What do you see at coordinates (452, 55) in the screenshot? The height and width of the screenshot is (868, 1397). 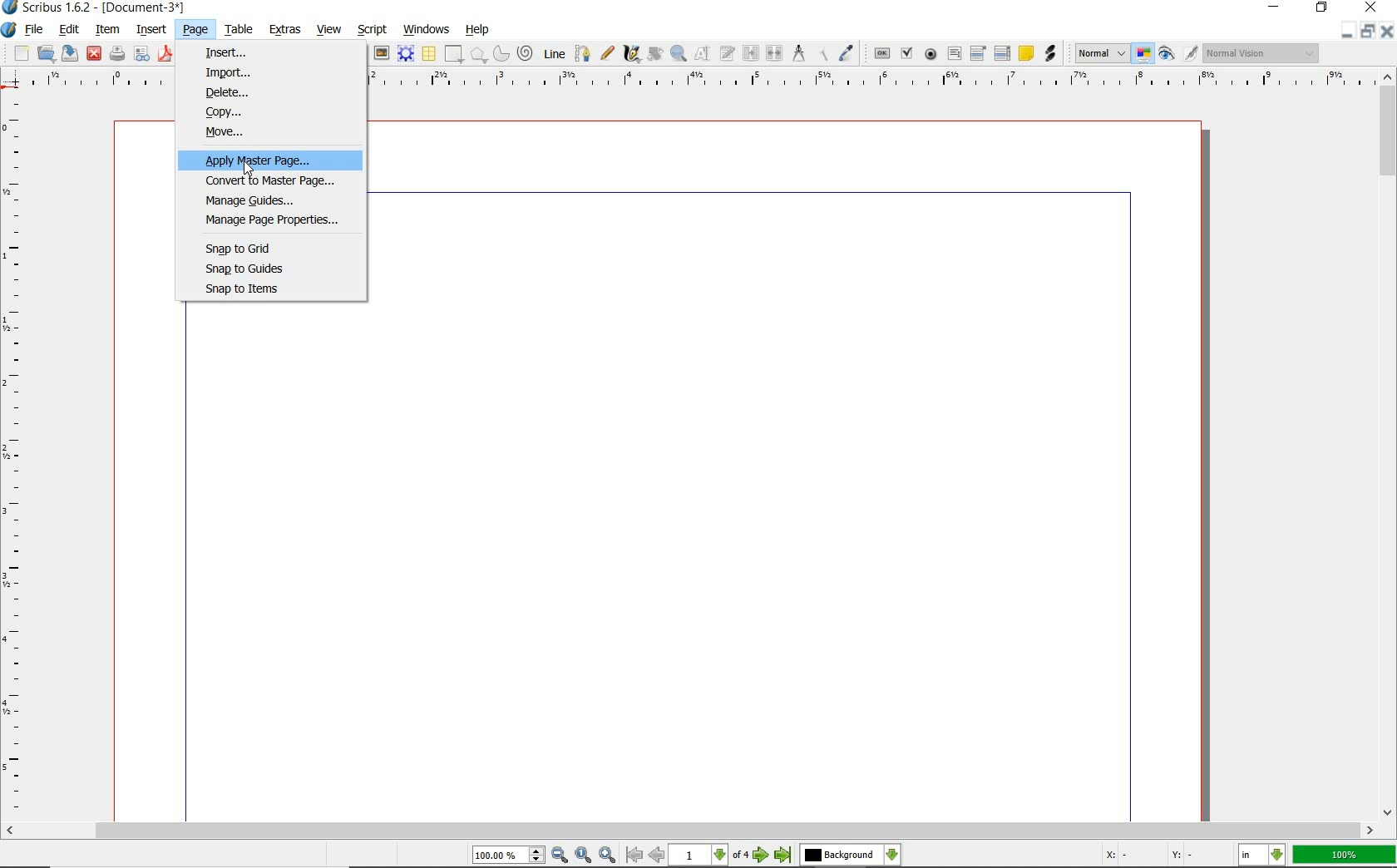 I see `shape` at bounding box center [452, 55].